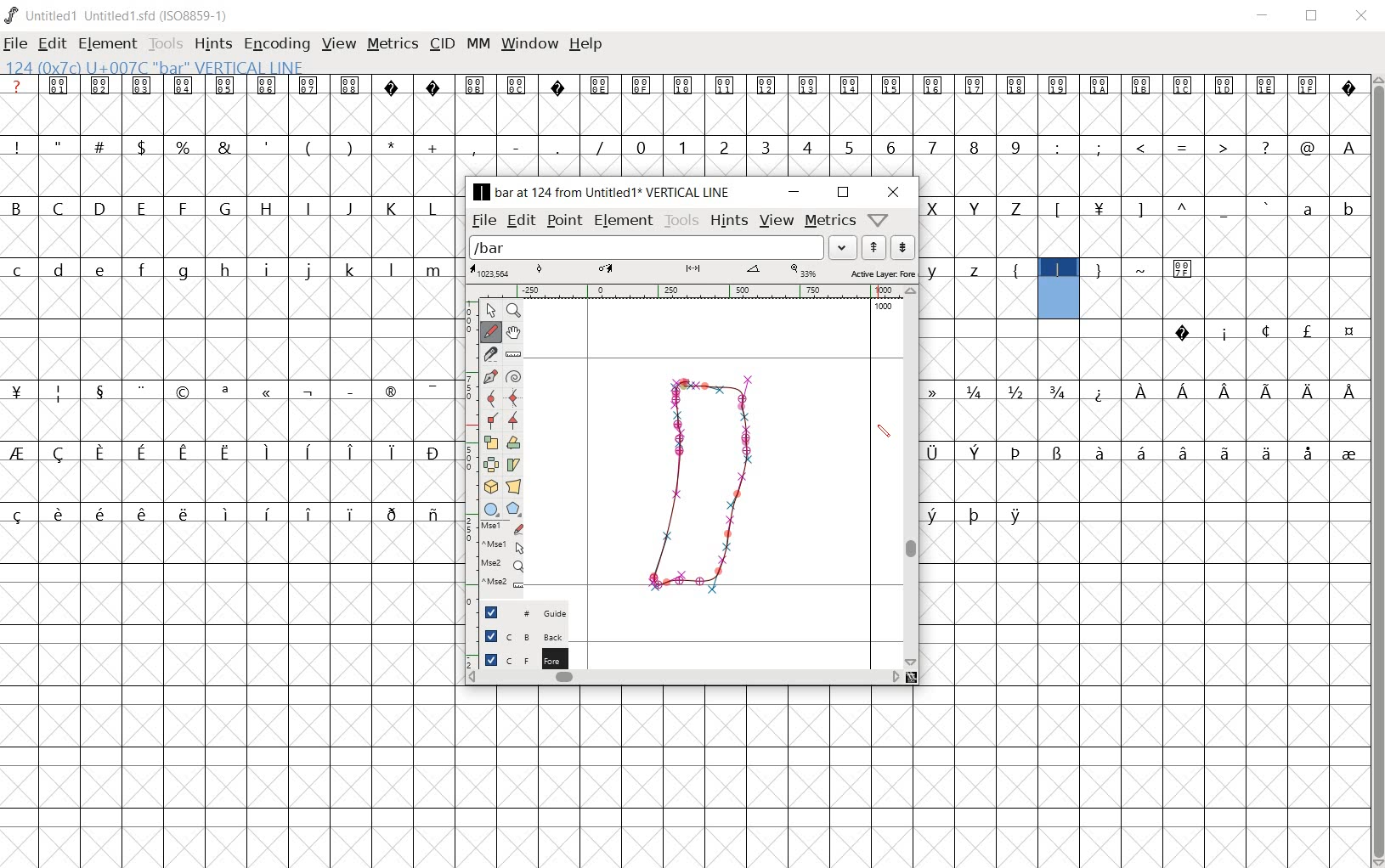 This screenshot has height=868, width=1385. I want to click on empty cells, so click(229, 238).